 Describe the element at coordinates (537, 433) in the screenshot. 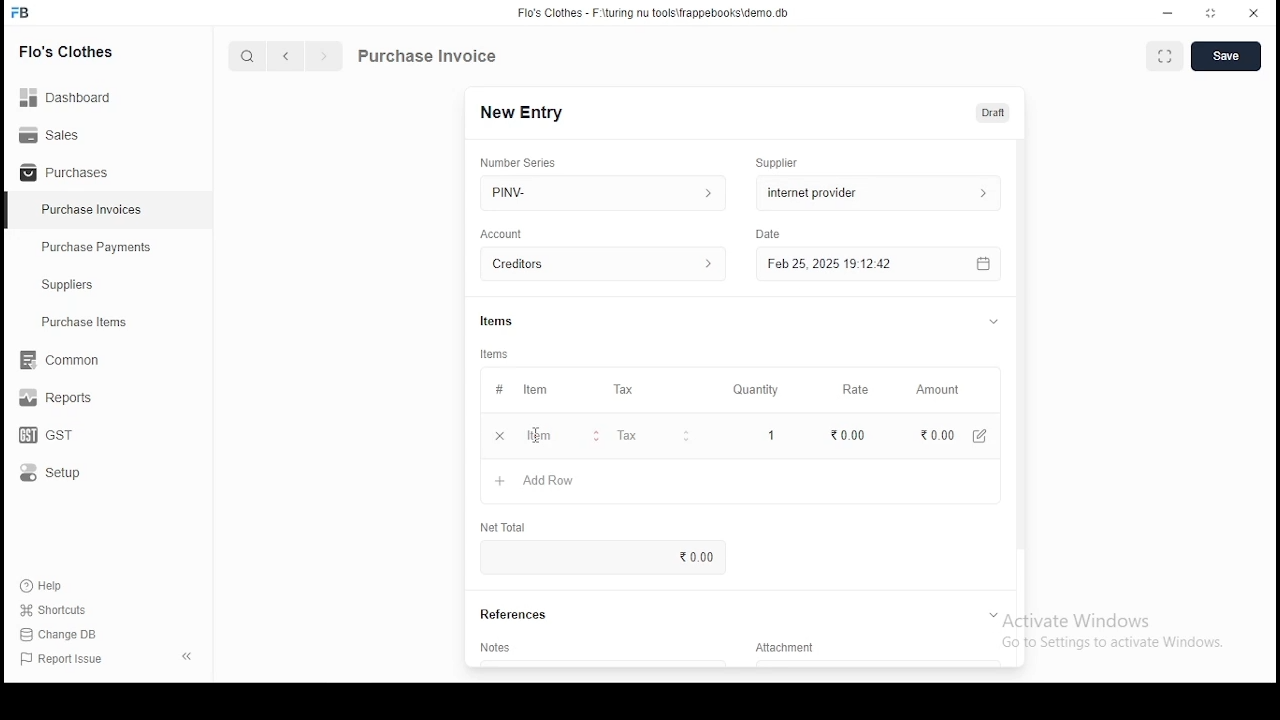

I see `cursor` at that location.